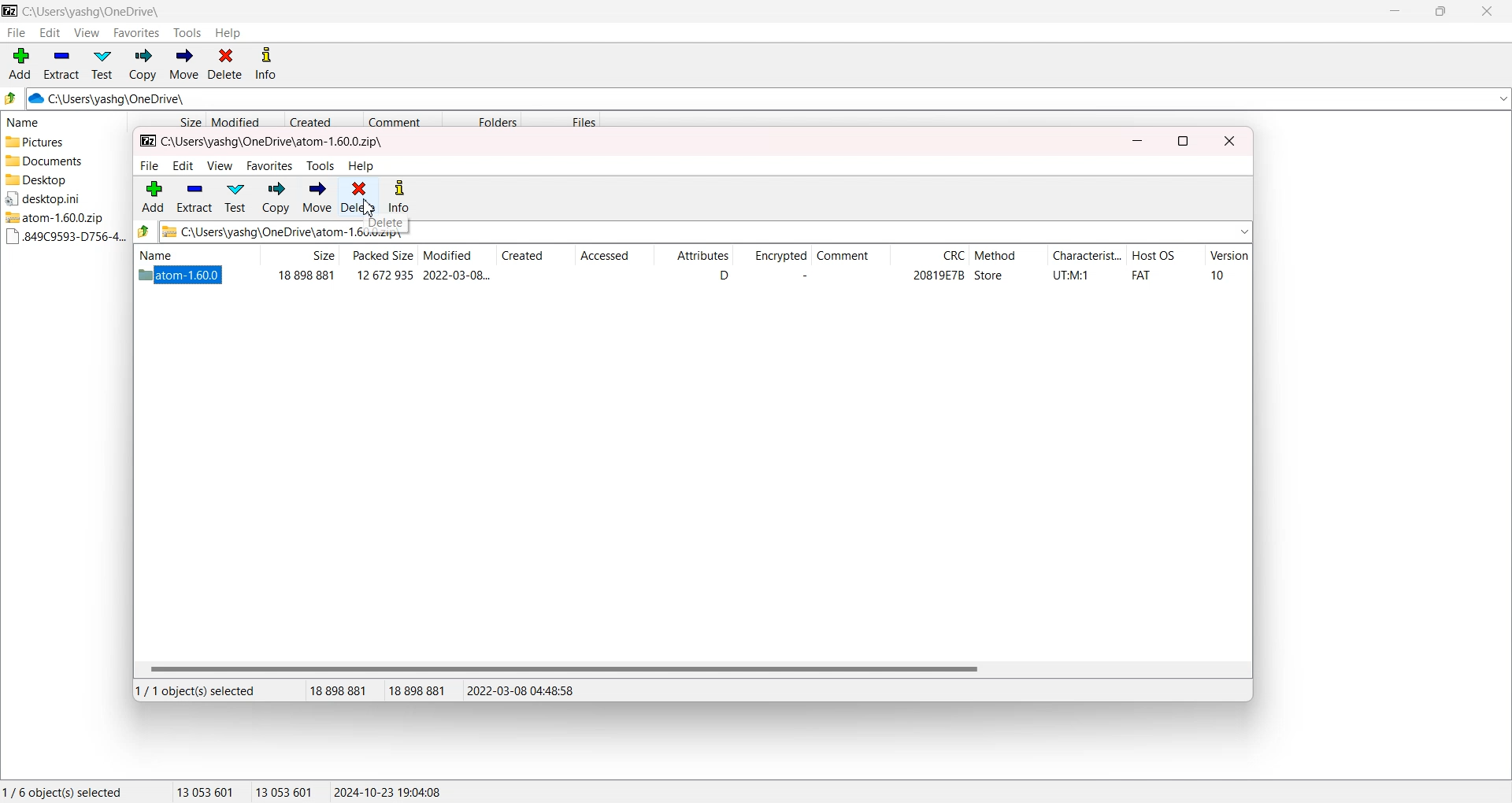 The image size is (1512, 803). What do you see at coordinates (244, 120) in the screenshot?
I see `Modified date` at bounding box center [244, 120].